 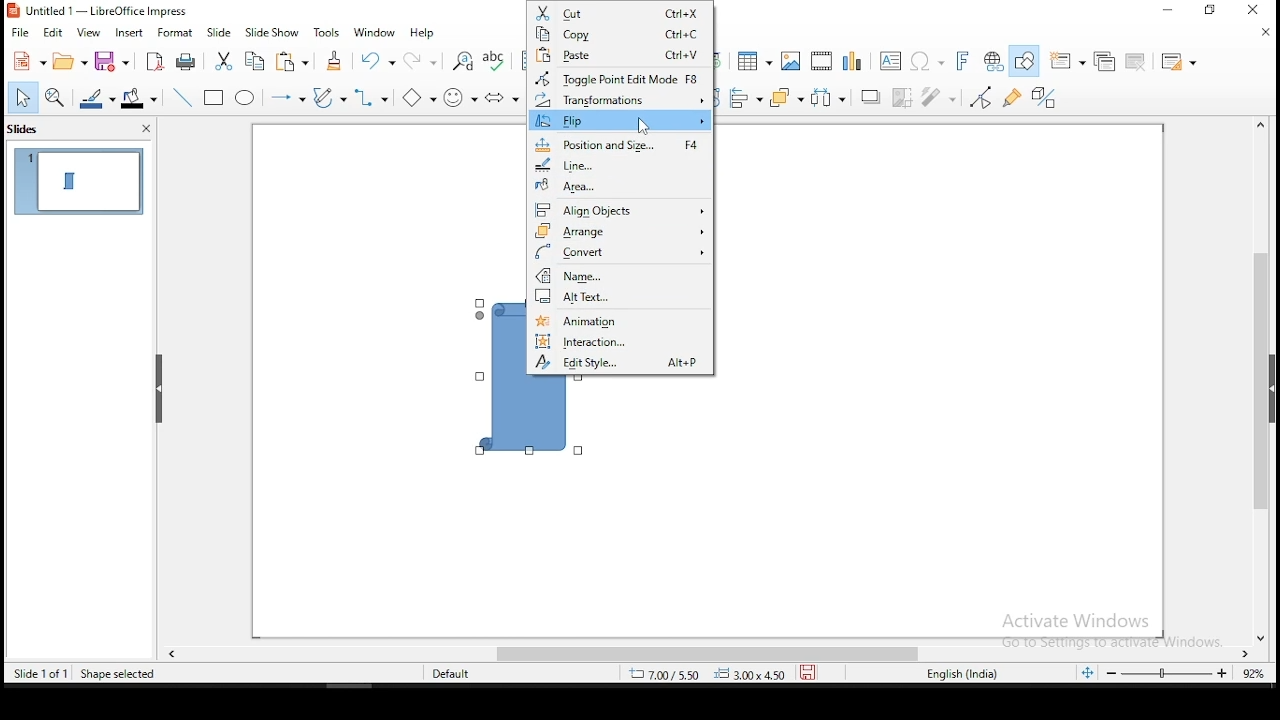 I want to click on transformations, so click(x=618, y=99).